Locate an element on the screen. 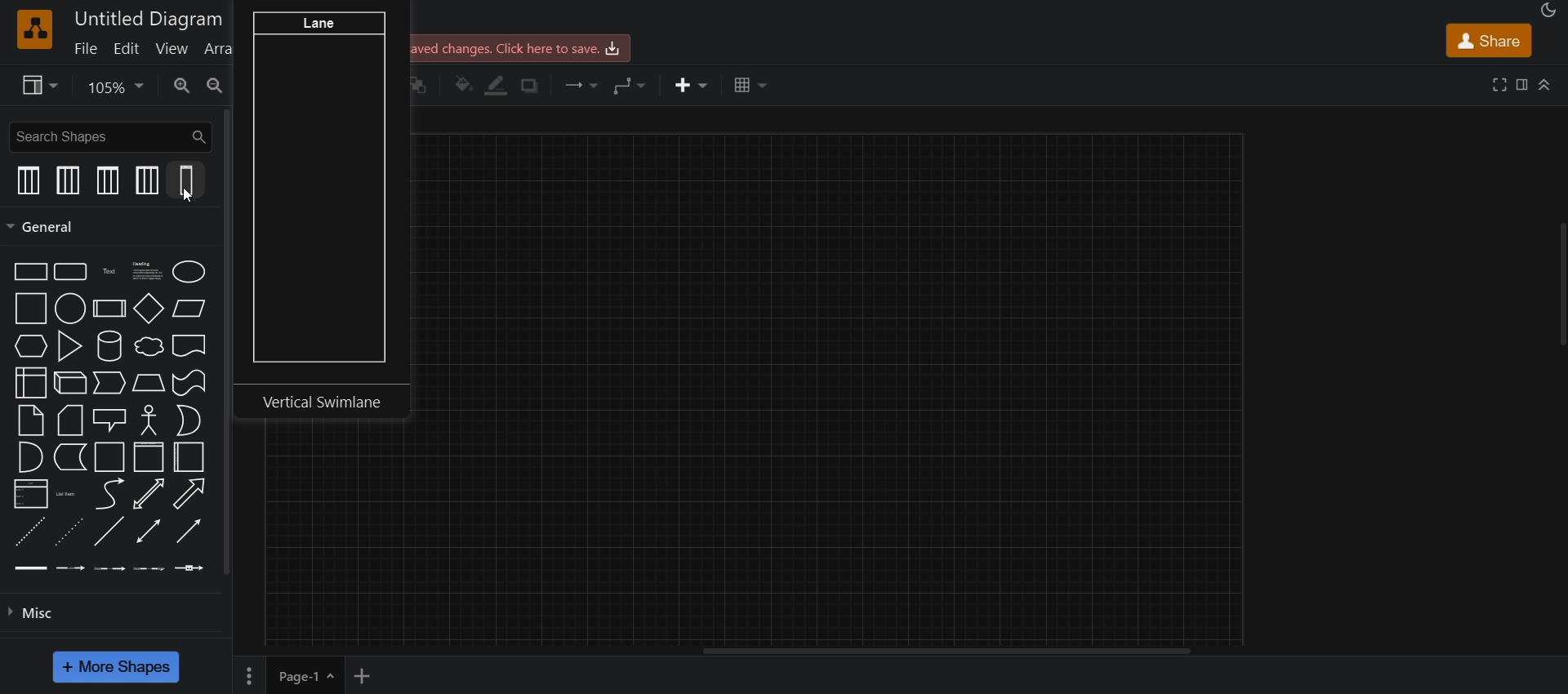  link is located at coordinates (31, 568).